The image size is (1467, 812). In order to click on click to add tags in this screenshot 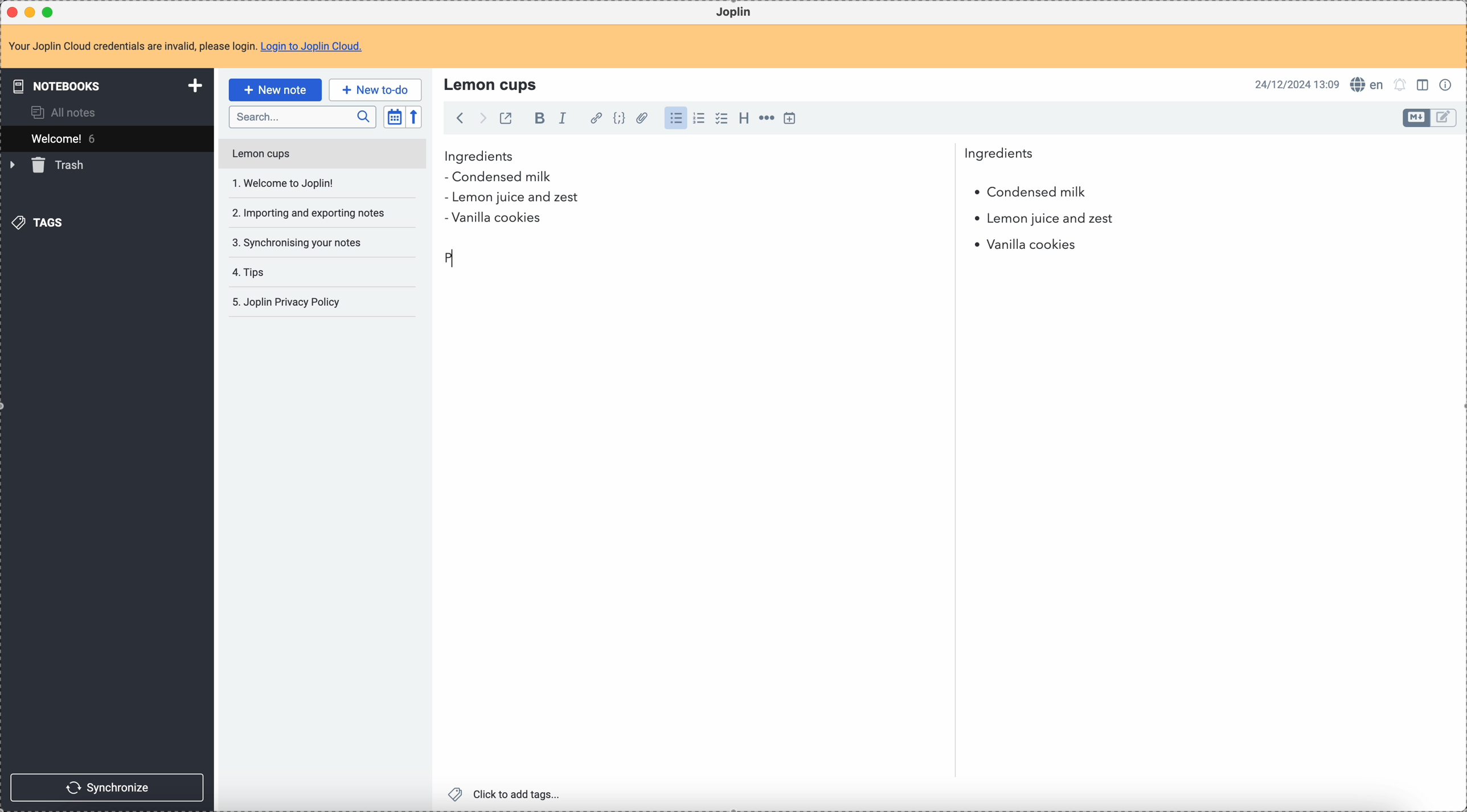, I will do `click(507, 793)`.